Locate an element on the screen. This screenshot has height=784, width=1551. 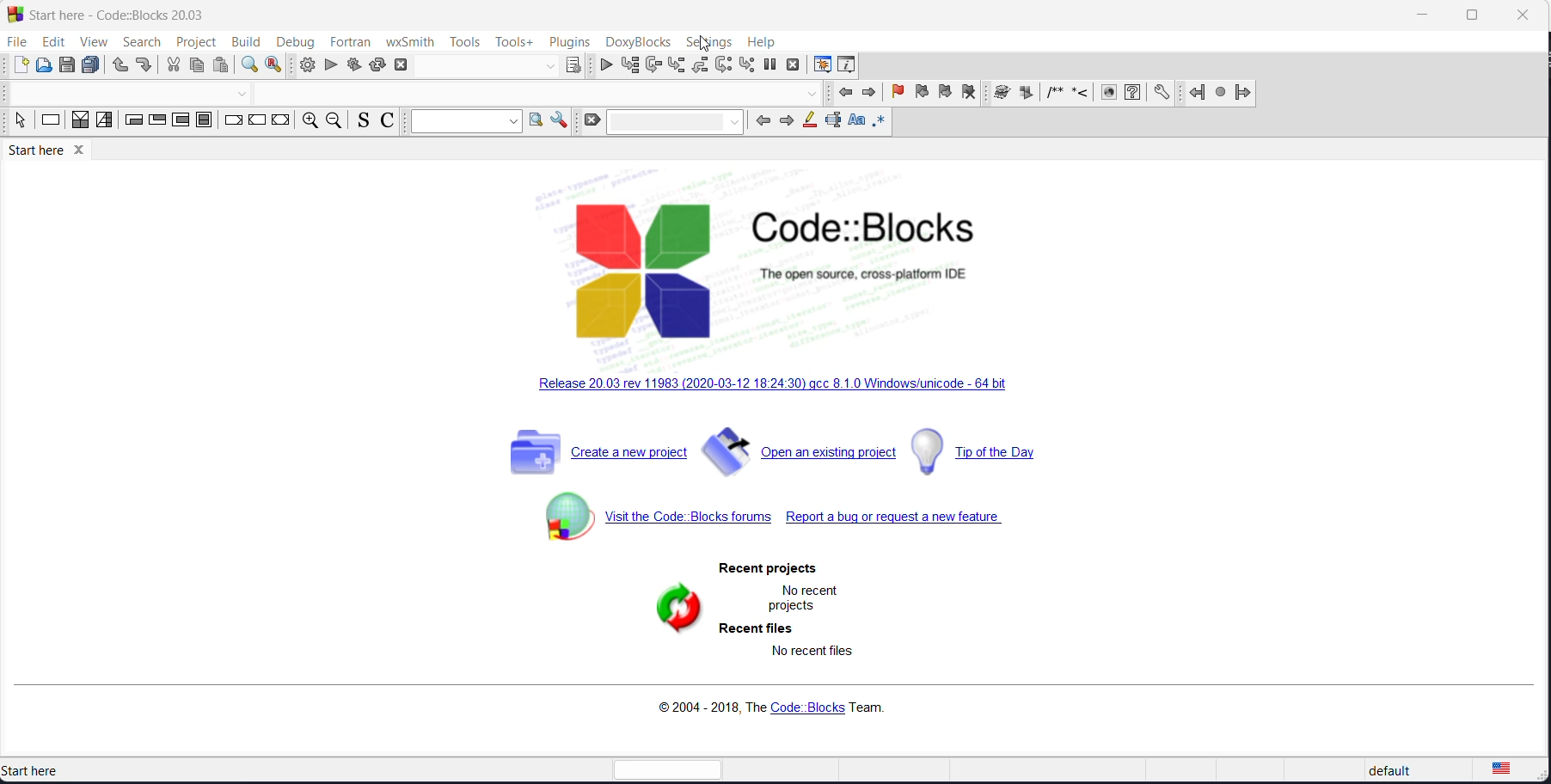
edit is located at coordinates (50, 42).